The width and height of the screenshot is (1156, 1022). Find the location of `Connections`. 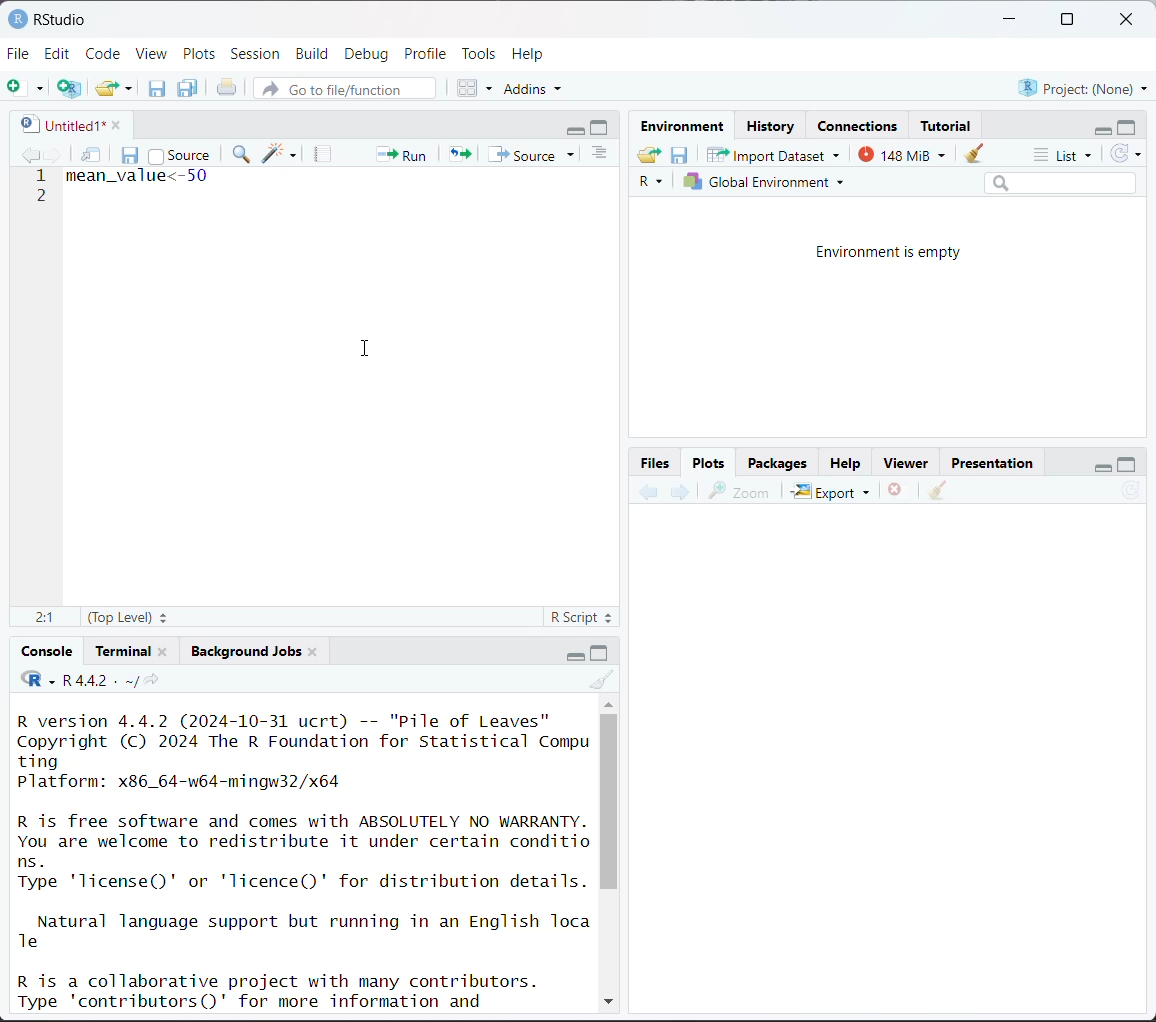

Connections is located at coordinates (860, 126).